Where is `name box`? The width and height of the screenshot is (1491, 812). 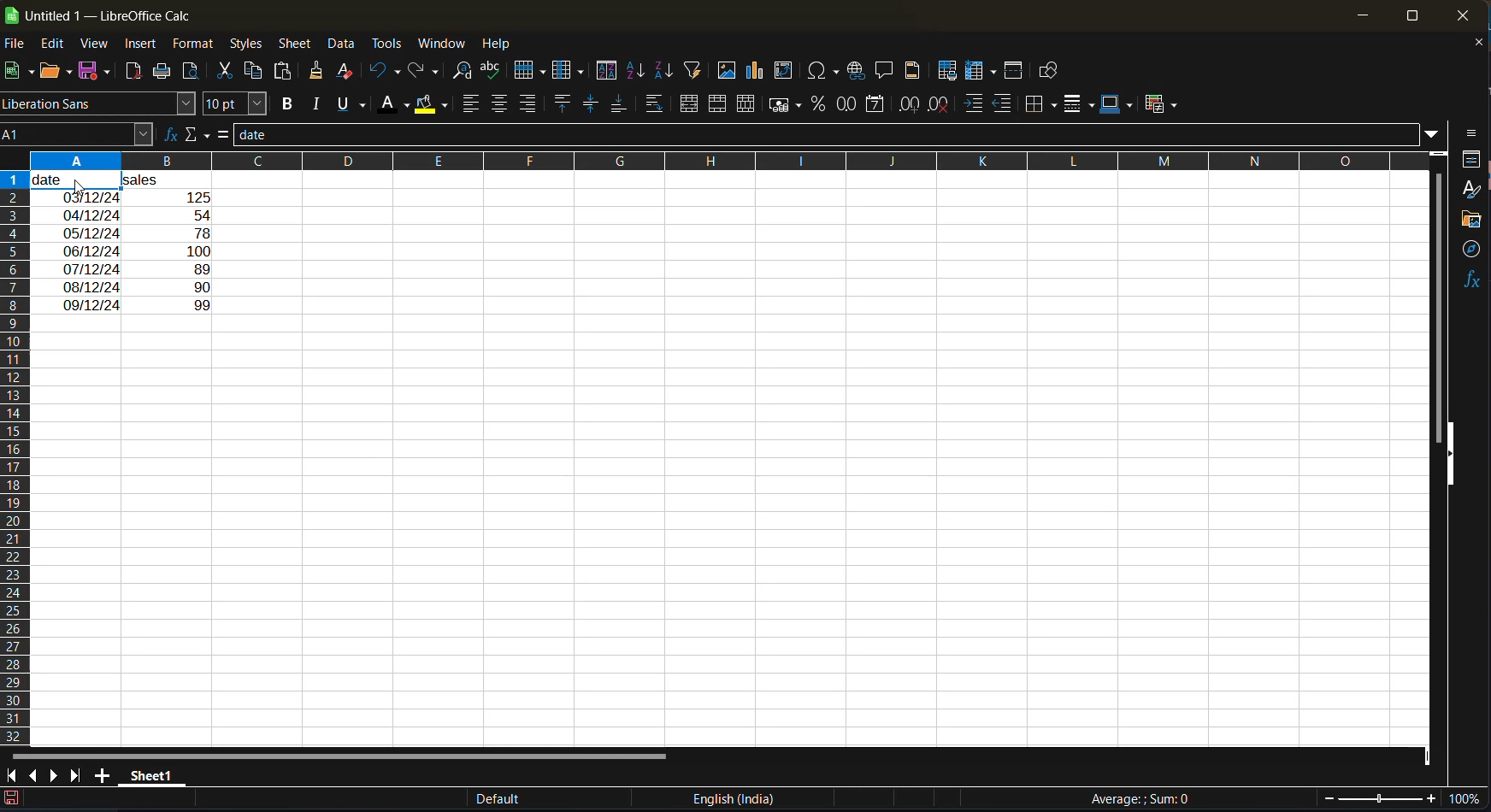 name box is located at coordinates (79, 135).